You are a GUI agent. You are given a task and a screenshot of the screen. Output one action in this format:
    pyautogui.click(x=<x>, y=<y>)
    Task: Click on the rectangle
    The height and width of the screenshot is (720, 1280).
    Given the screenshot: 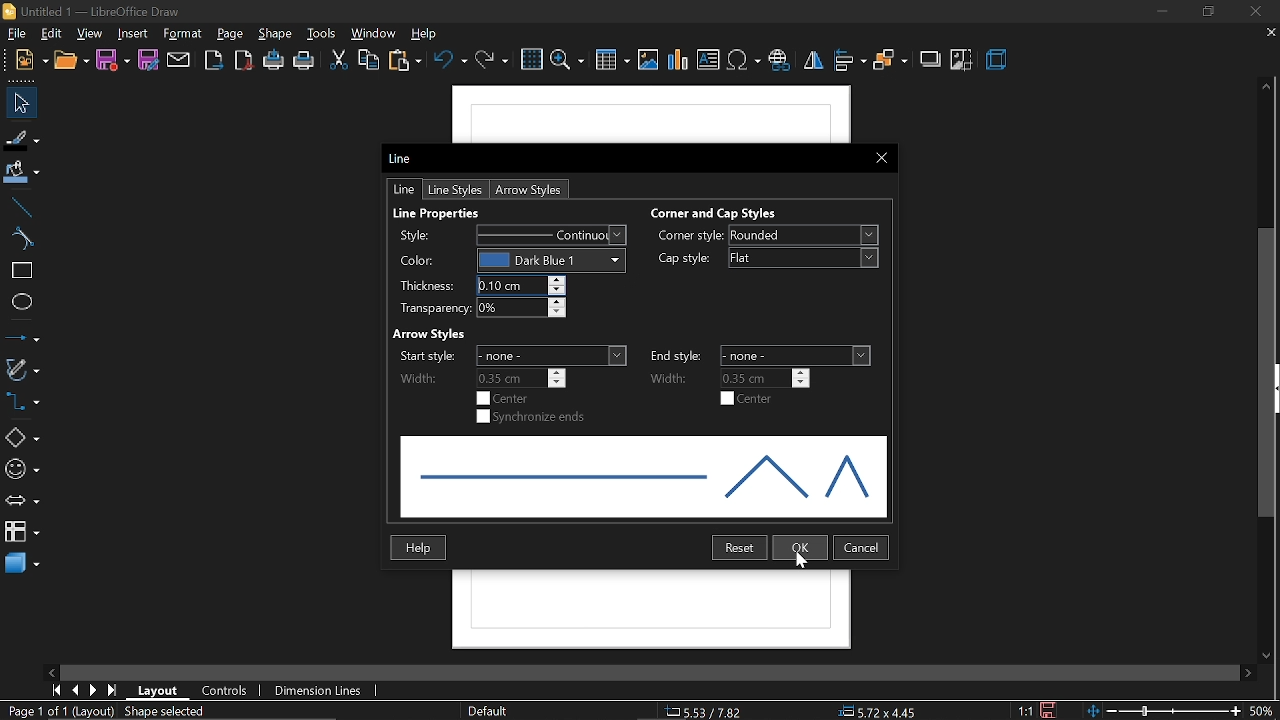 What is the action you would take?
    pyautogui.click(x=23, y=270)
    